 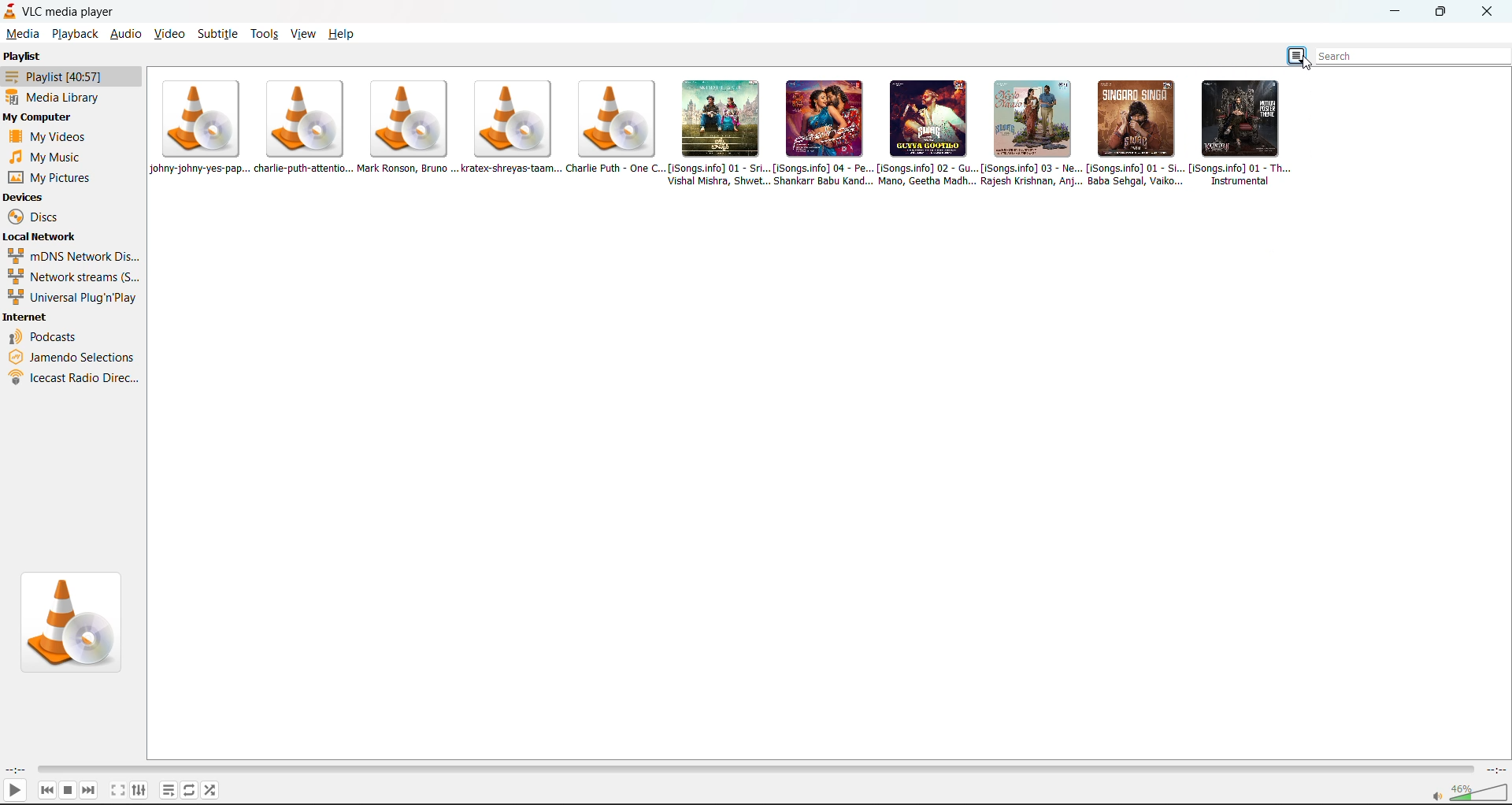 What do you see at coordinates (217, 33) in the screenshot?
I see `subtitle` at bounding box center [217, 33].